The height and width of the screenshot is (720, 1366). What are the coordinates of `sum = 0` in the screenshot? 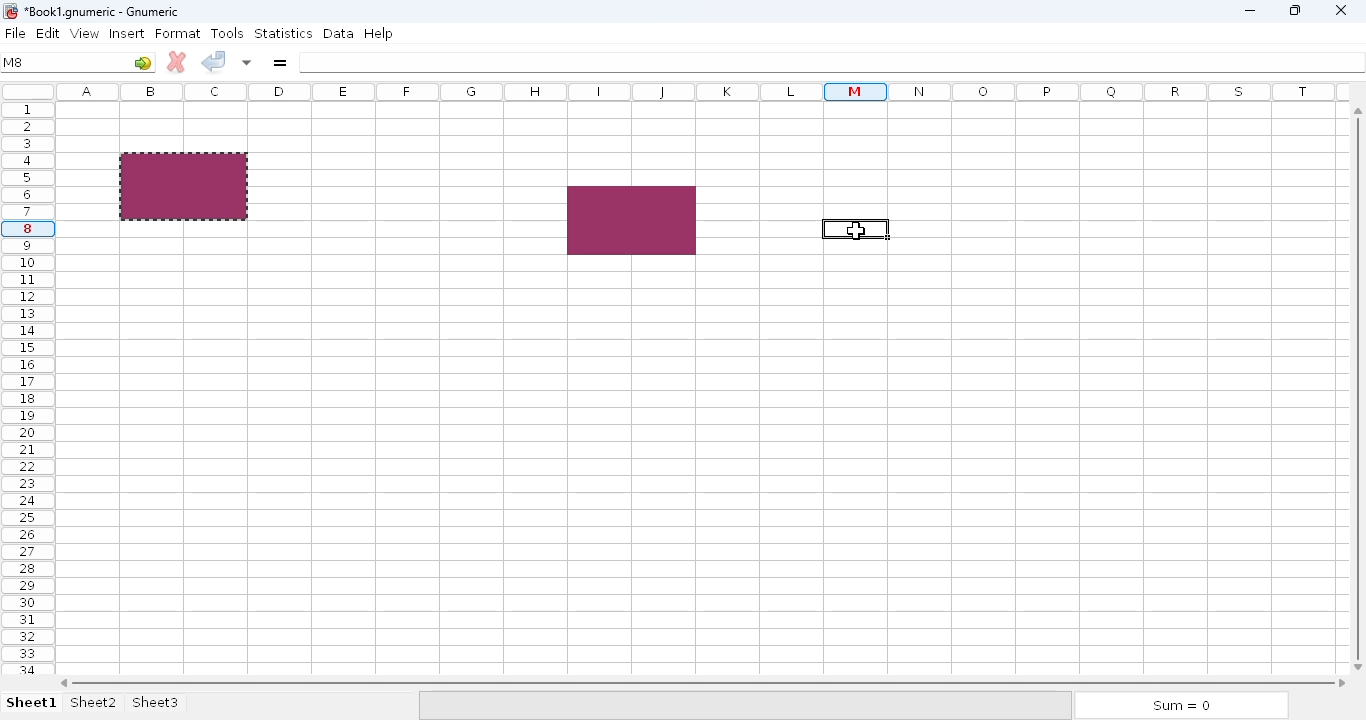 It's located at (1179, 706).